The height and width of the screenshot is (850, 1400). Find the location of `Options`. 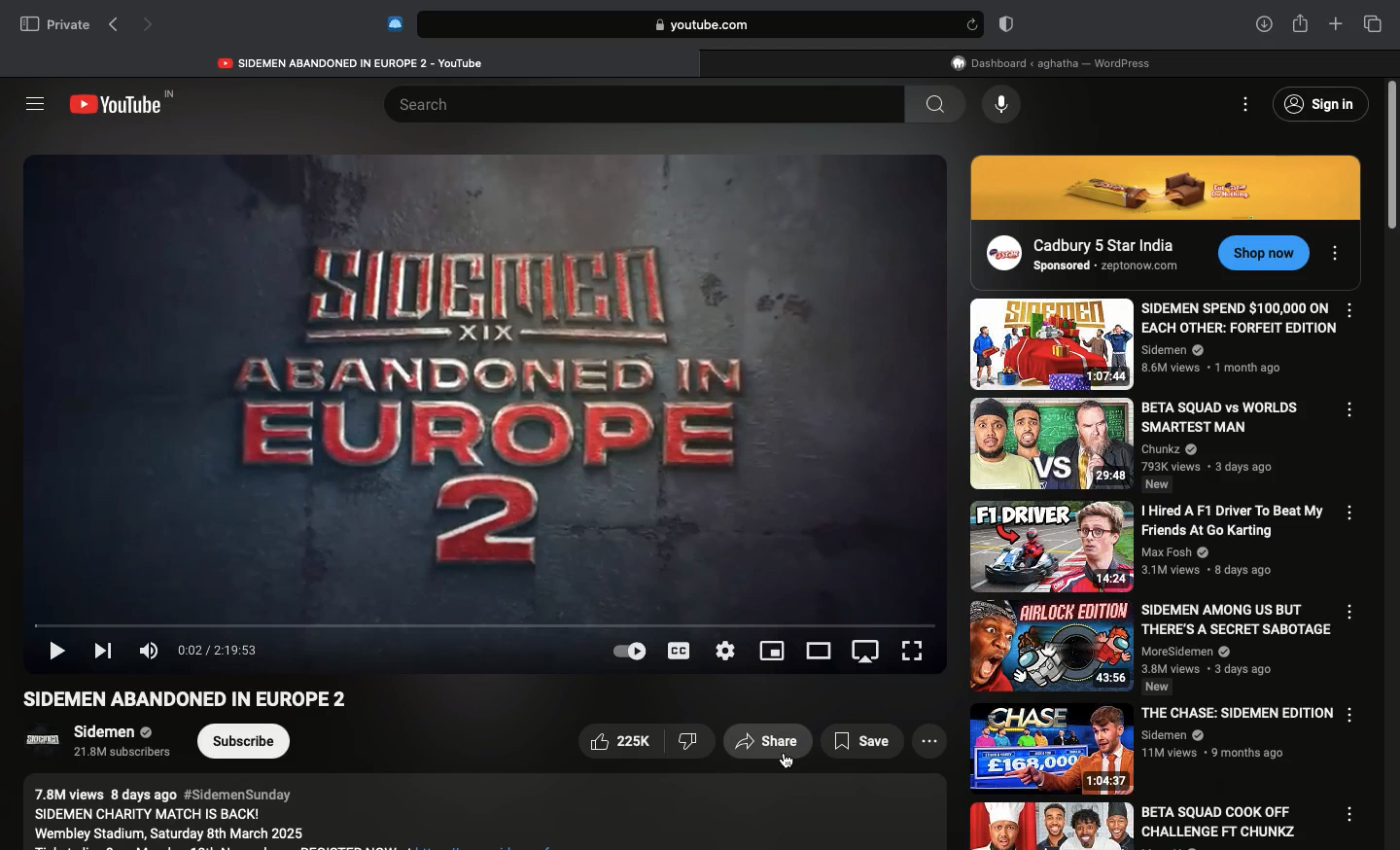

Options is located at coordinates (1339, 249).